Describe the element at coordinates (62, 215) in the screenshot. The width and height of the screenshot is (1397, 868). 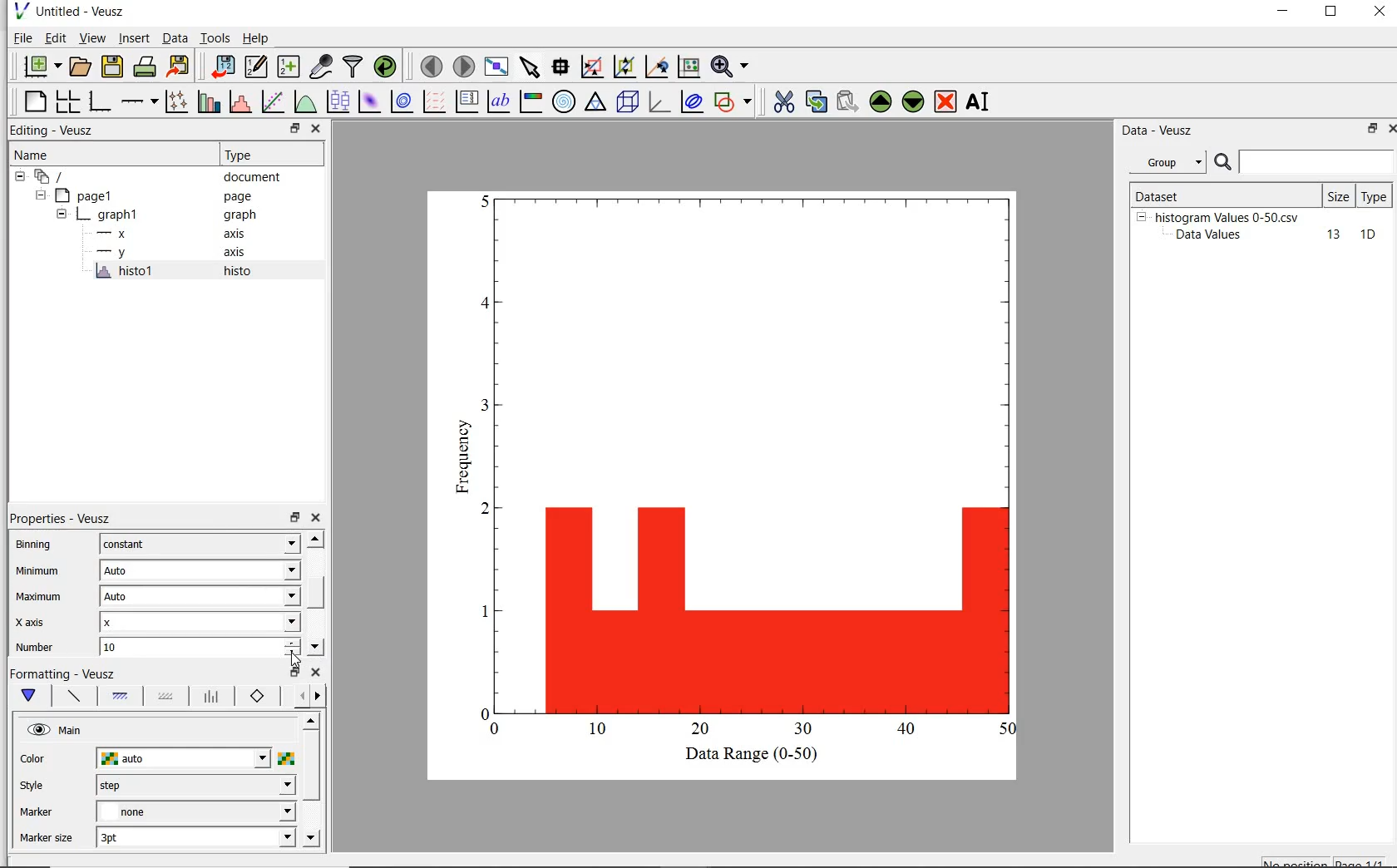
I see `hide` at that location.